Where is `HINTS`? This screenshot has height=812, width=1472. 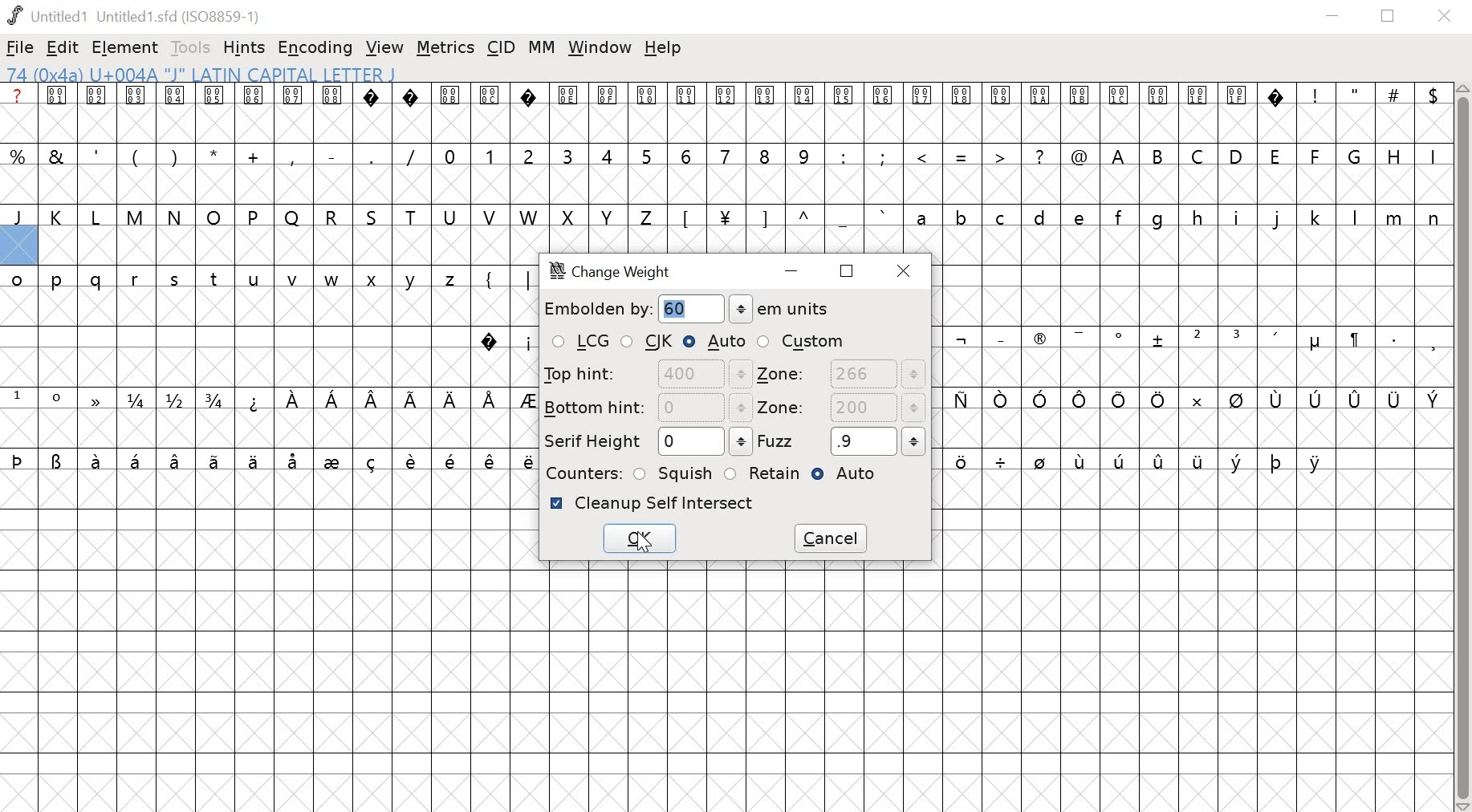 HINTS is located at coordinates (246, 49).